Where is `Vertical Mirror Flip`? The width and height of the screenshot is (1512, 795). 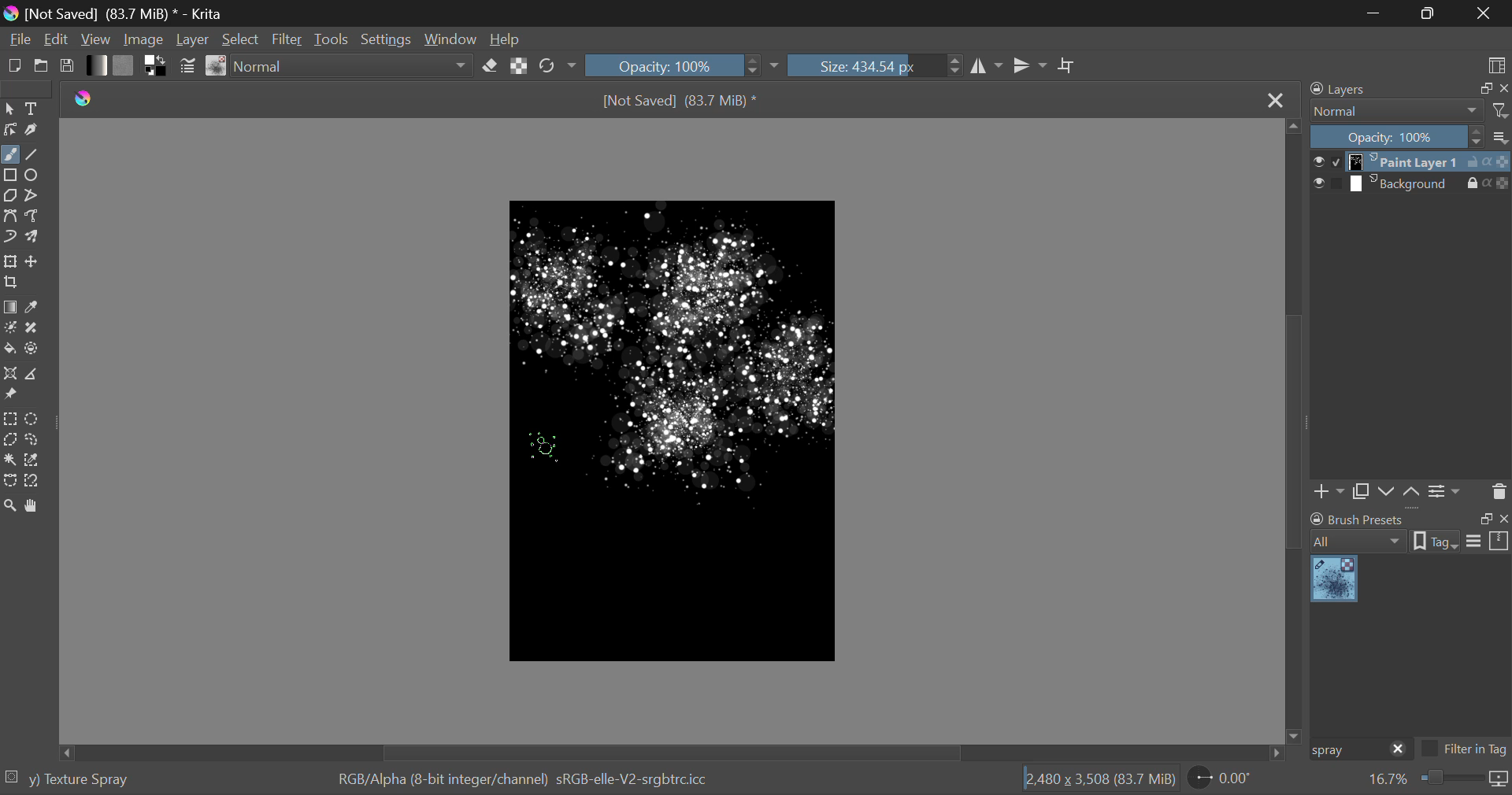
Vertical Mirror Flip is located at coordinates (984, 66).